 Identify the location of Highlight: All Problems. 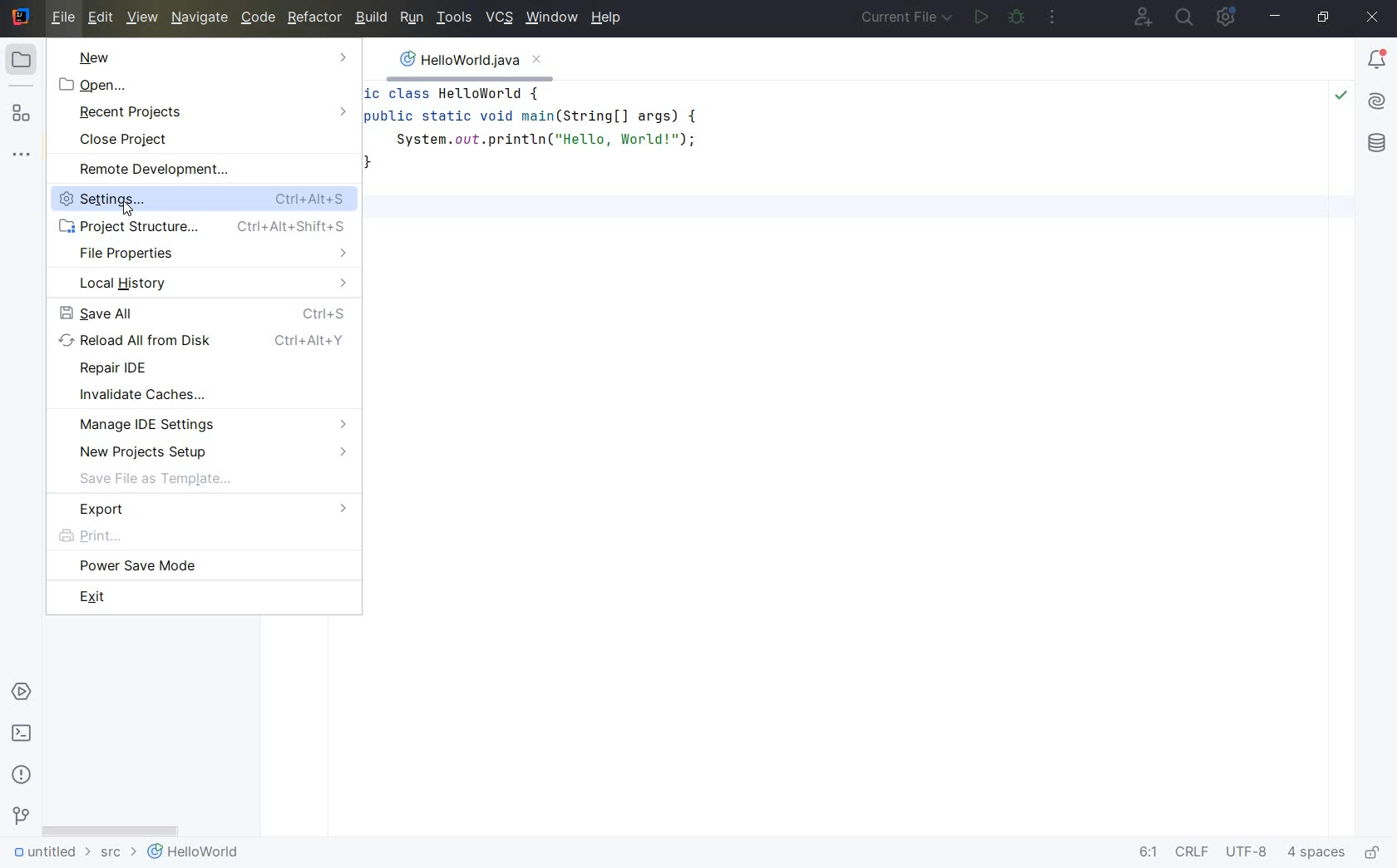
(1341, 97).